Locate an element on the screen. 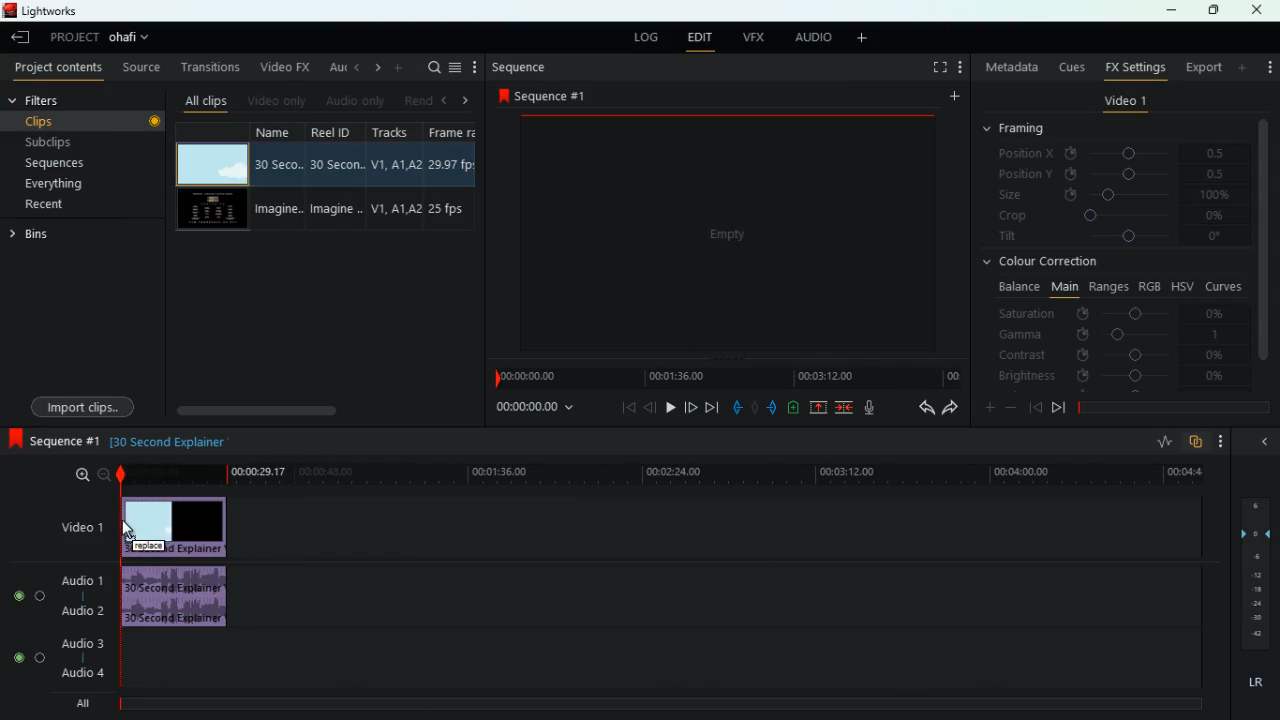 Image resolution: width=1280 pixels, height=720 pixels. balance is located at coordinates (1016, 287).